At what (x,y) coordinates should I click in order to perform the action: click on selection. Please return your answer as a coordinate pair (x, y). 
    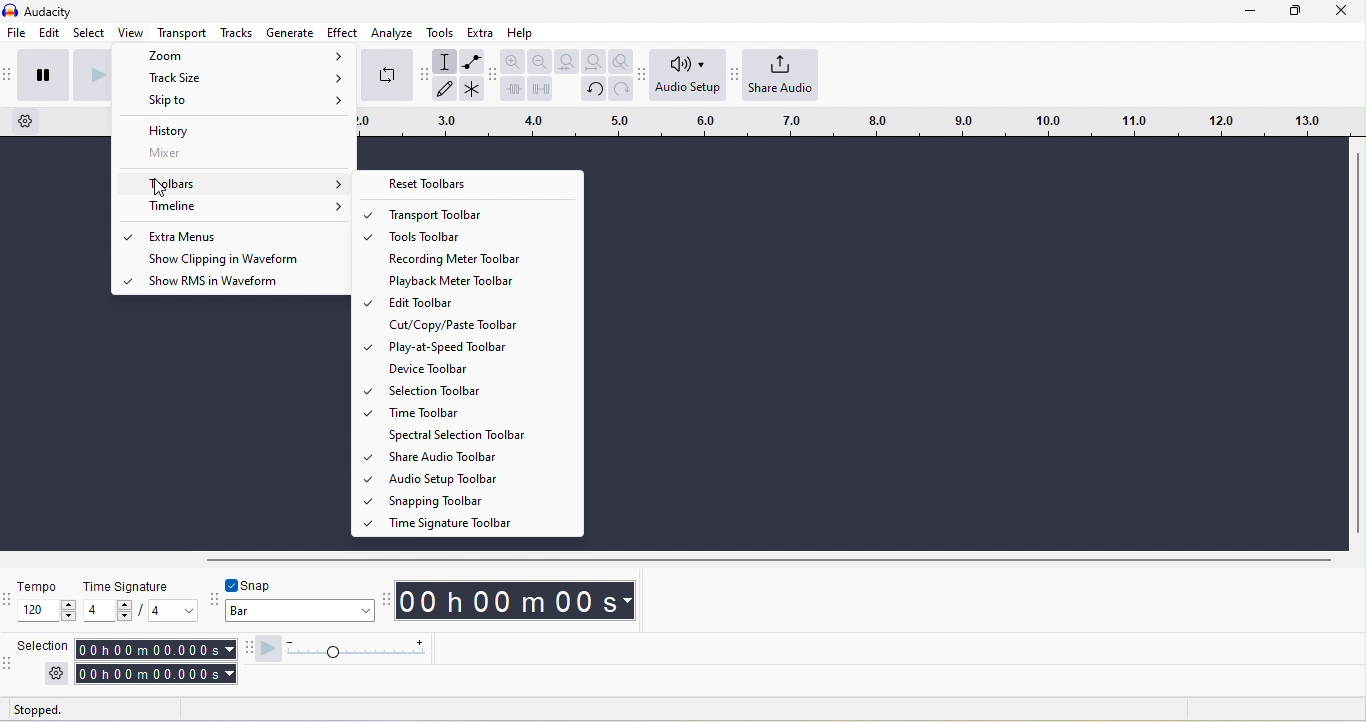
    Looking at the image, I should click on (44, 645).